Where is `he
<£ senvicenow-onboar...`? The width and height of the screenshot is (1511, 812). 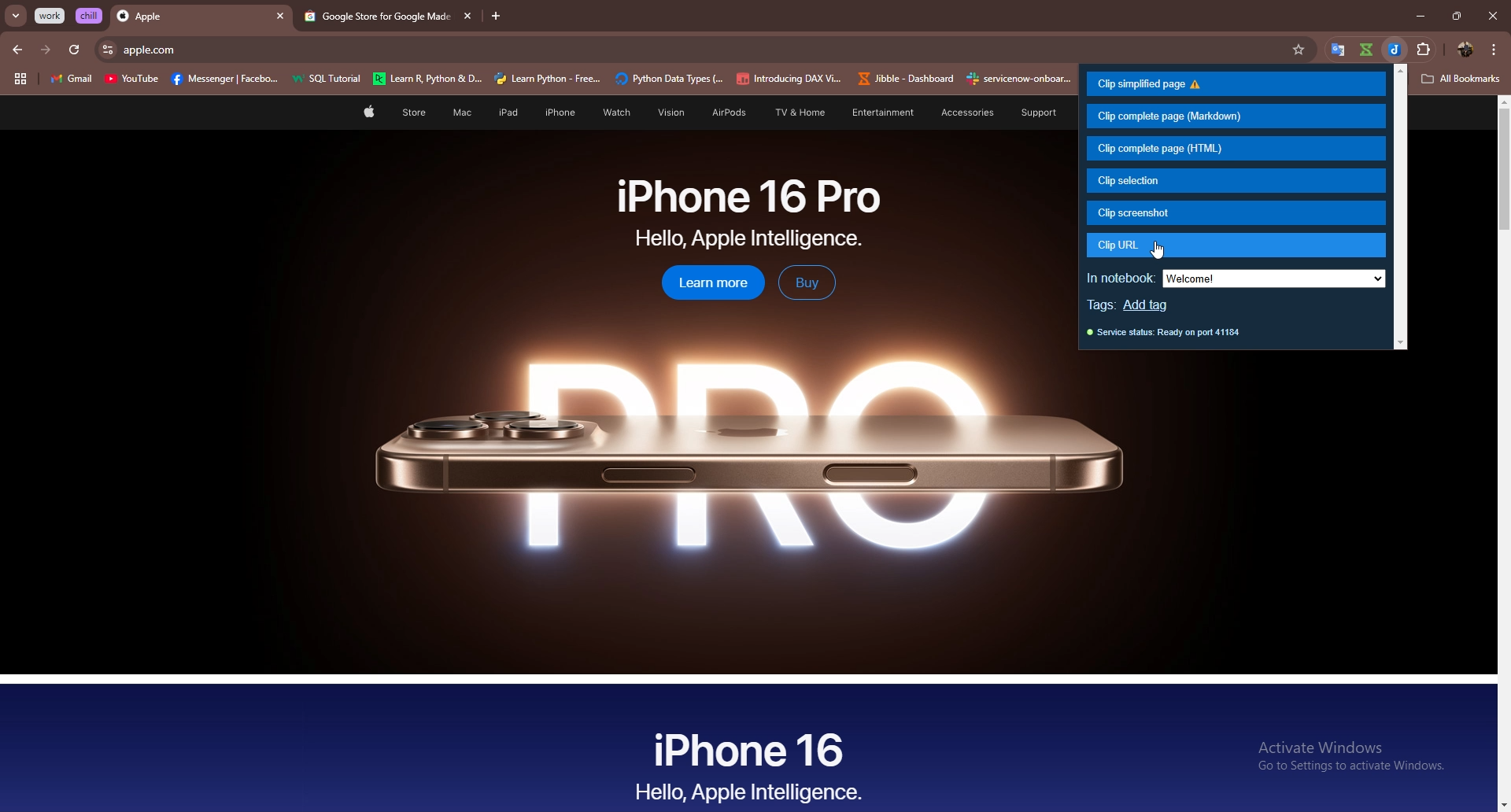 he
<£ senvicenow-onboar... is located at coordinates (1020, 79).